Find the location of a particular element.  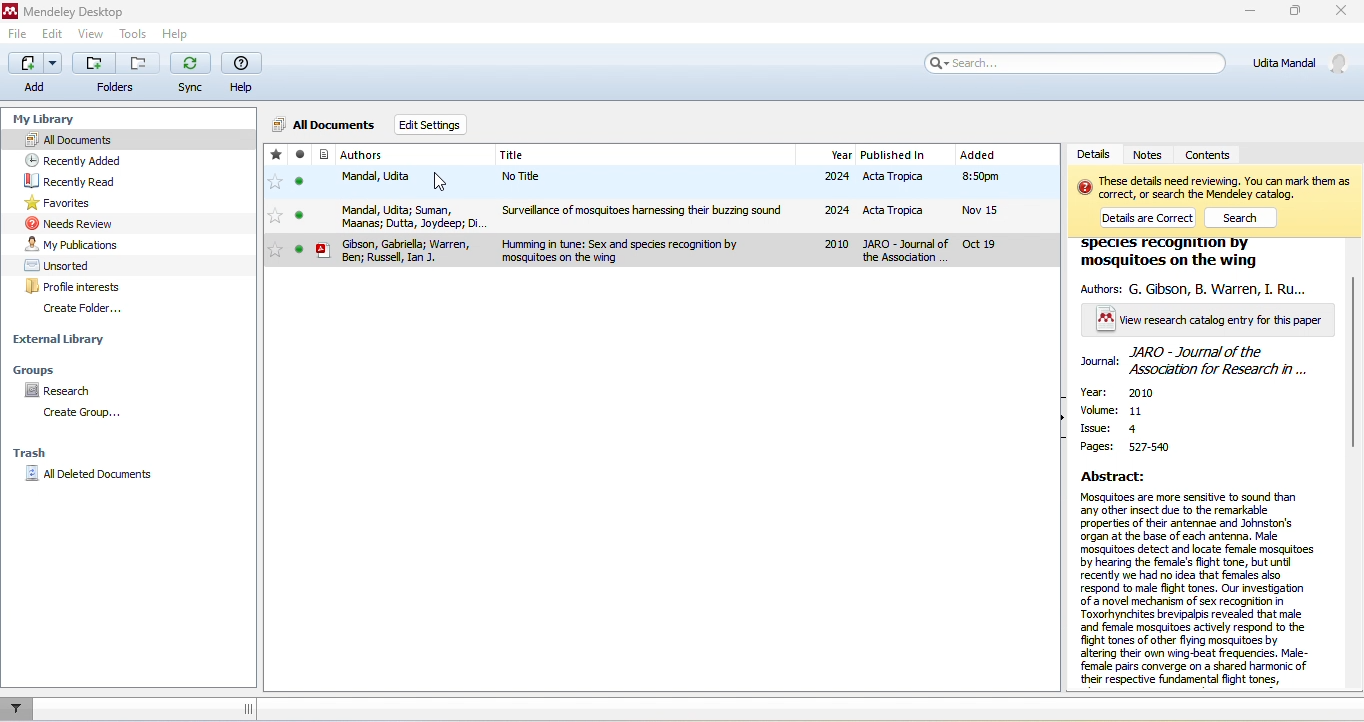

tools is located at coordinates (132, 36).